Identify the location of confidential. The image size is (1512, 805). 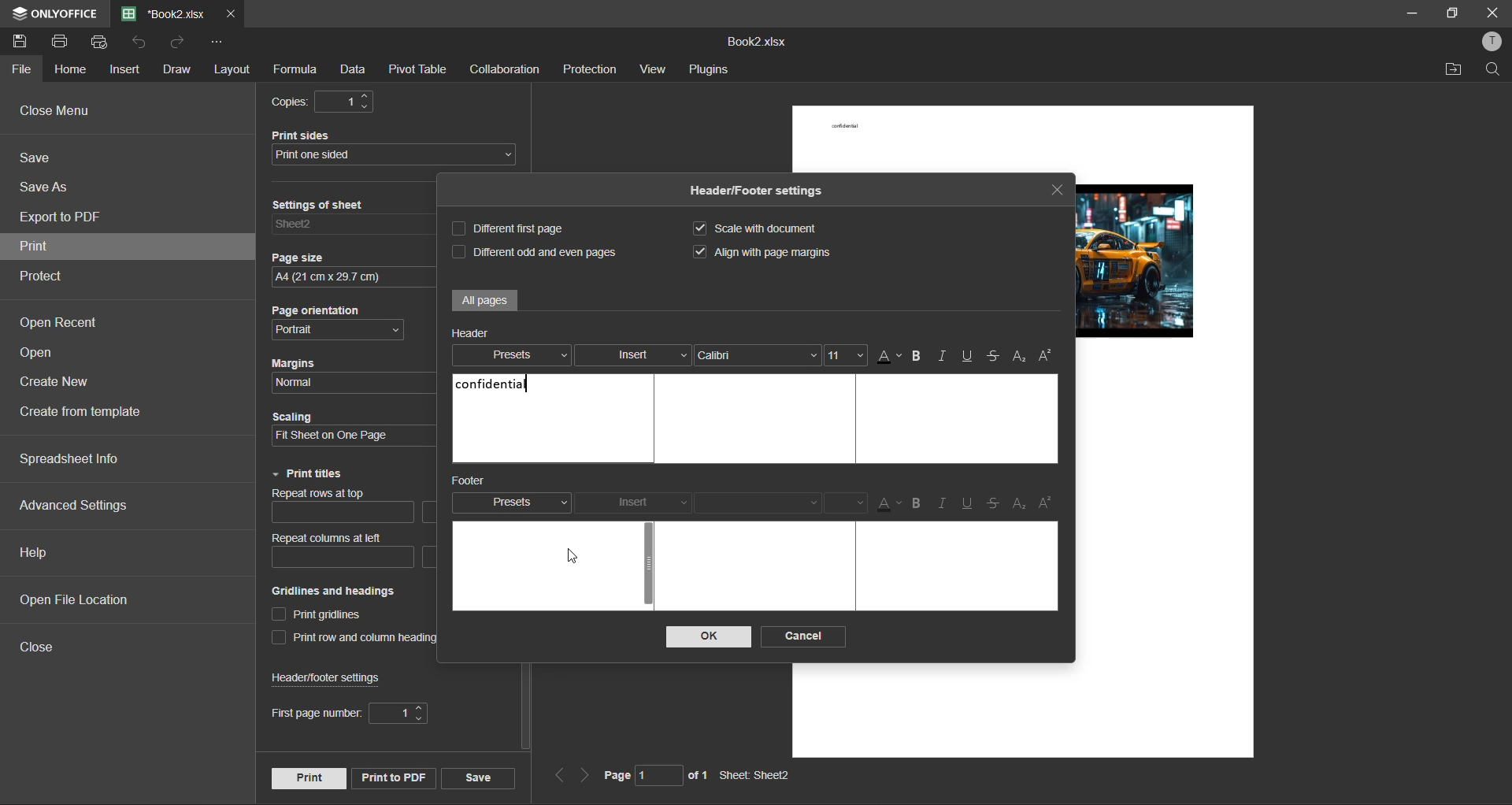
(490, 386).